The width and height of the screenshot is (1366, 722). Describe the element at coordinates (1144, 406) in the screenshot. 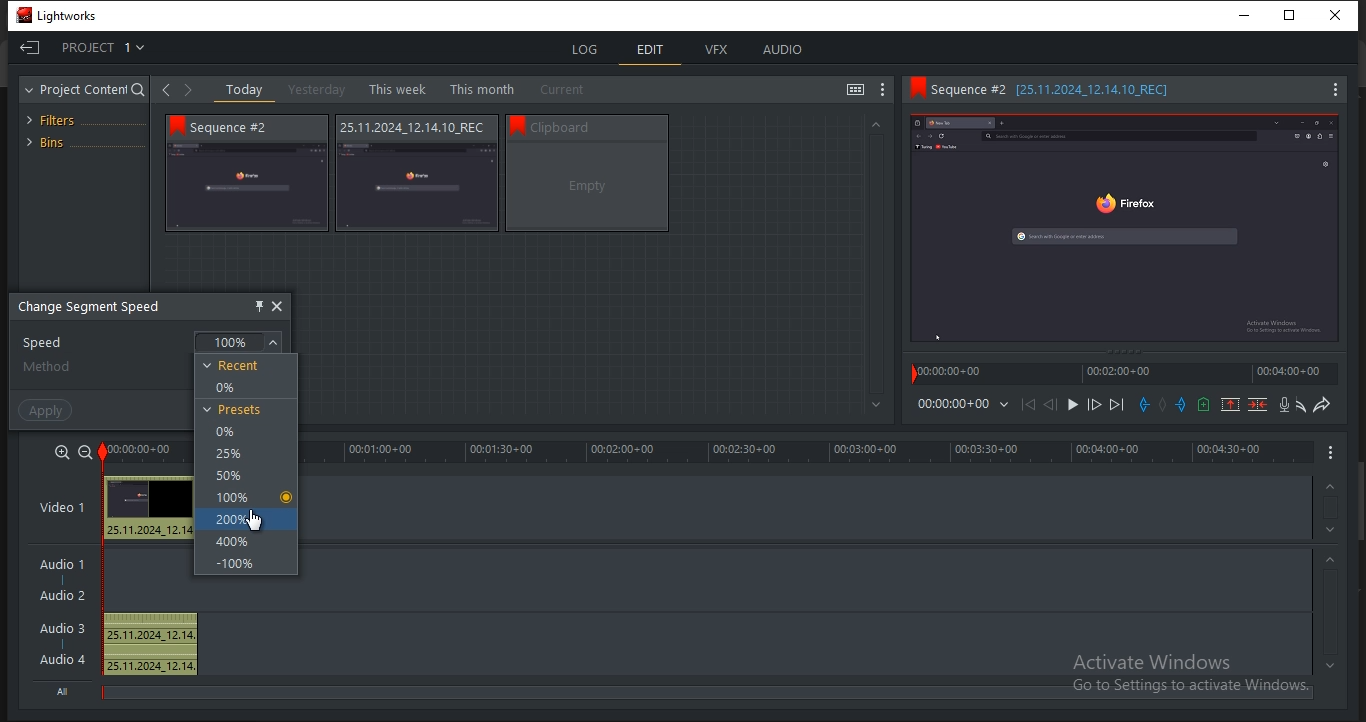

I see `add an in mark at the current position` at that location.